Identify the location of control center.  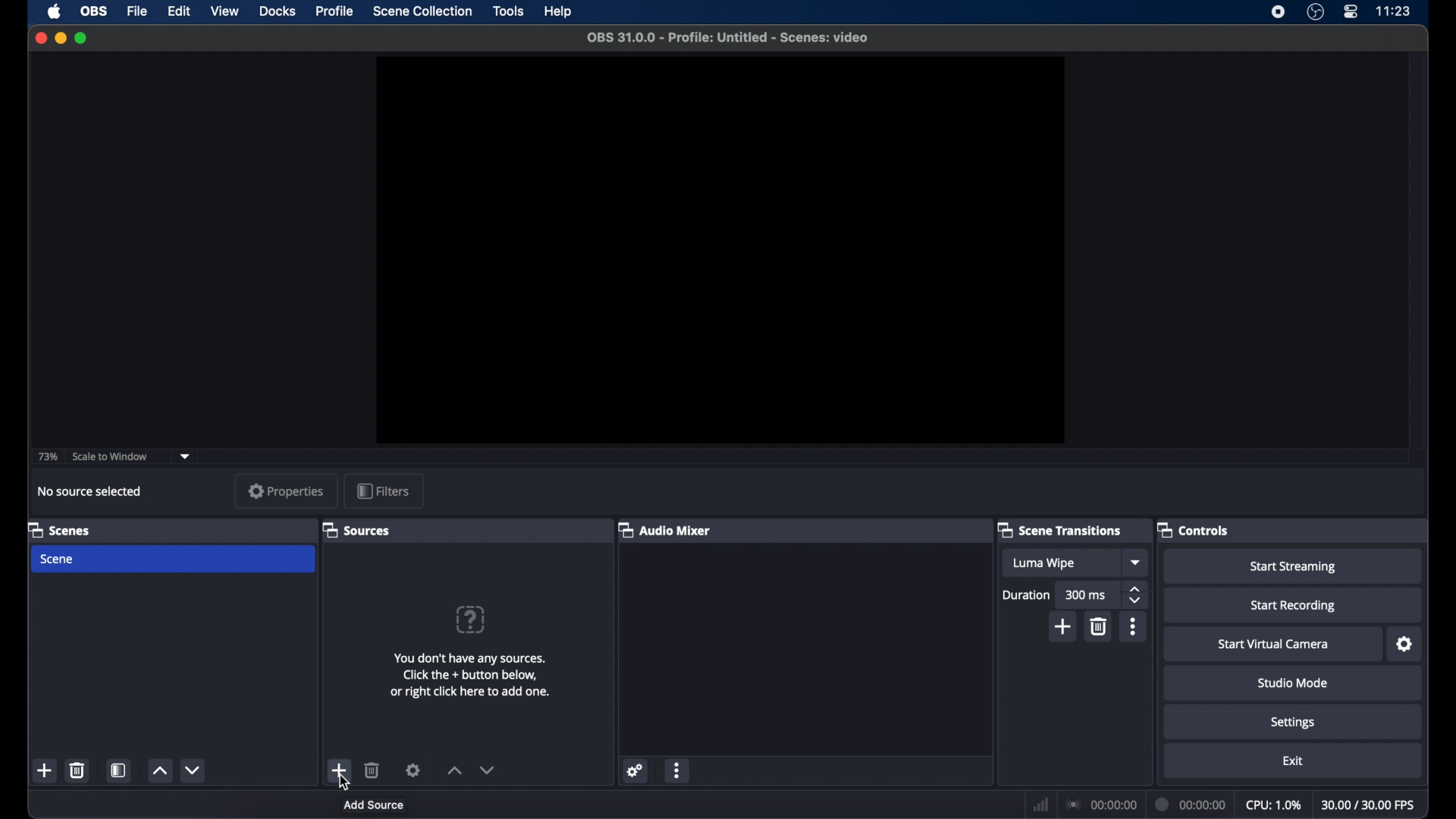
(1350, 11).